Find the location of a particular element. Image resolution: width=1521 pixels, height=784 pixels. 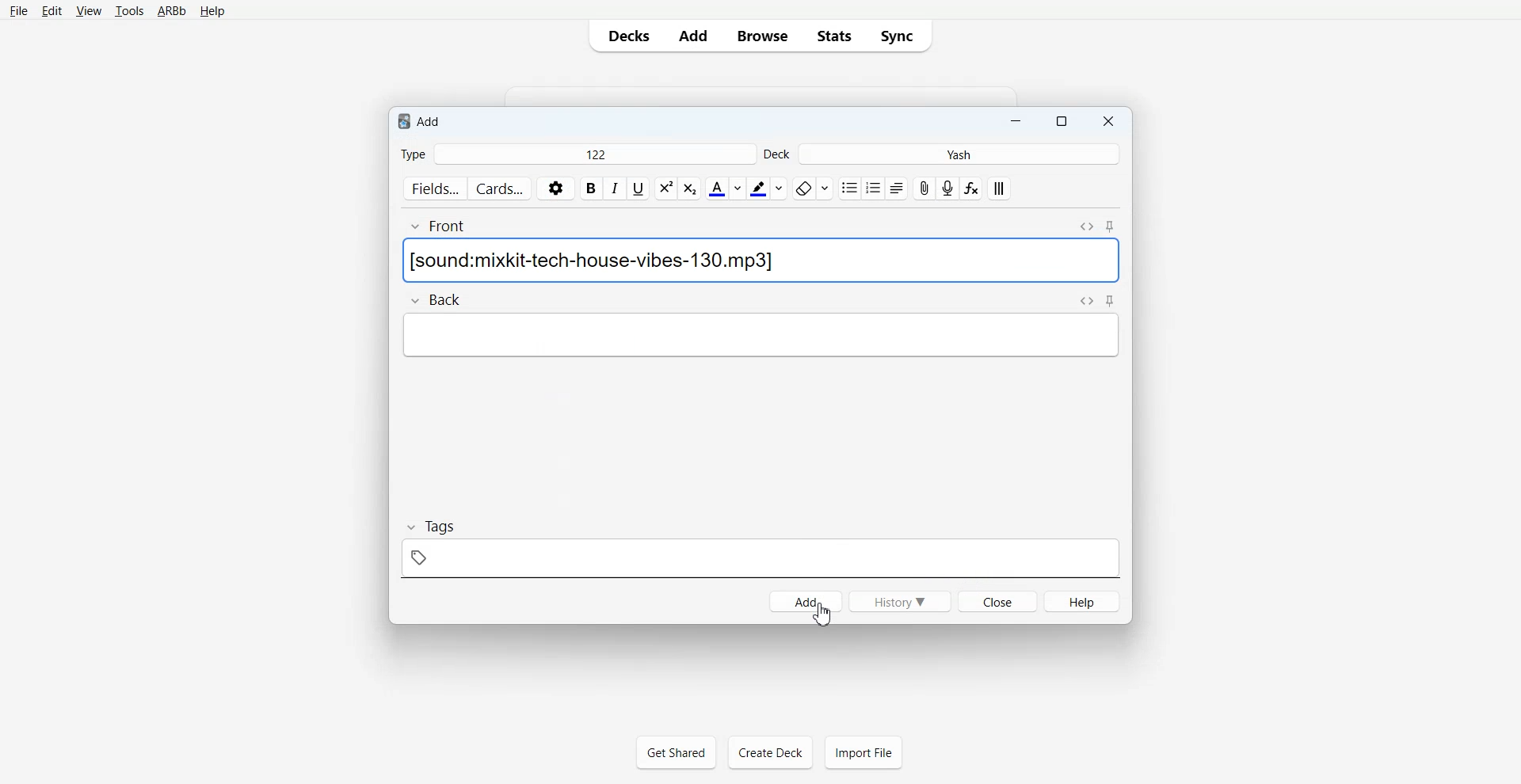

tags is located at coordinates (448, 528).